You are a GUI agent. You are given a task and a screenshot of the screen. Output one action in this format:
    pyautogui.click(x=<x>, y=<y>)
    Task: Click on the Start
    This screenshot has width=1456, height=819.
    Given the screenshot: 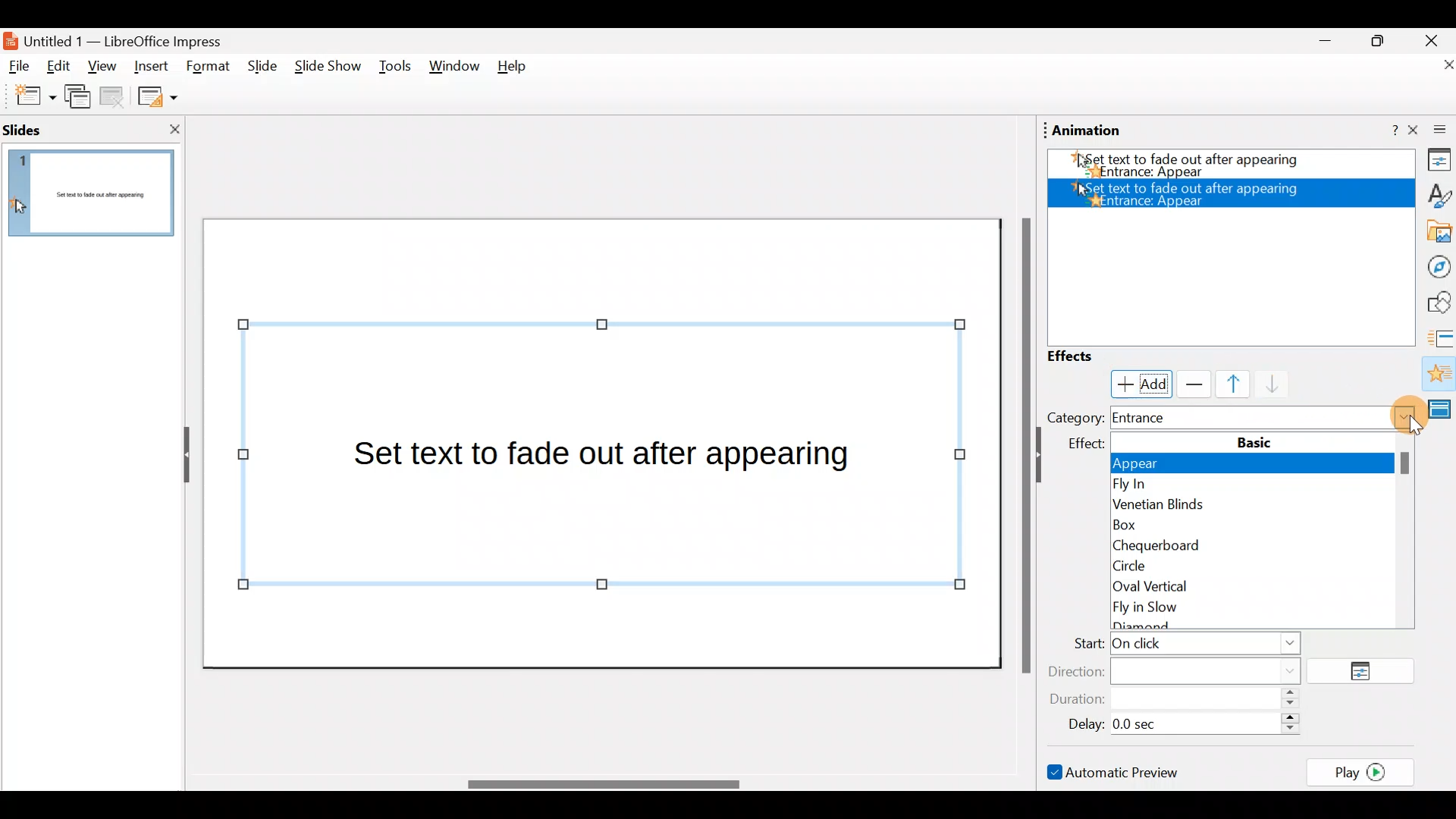 What is the action you would take?
    pyautogui.click(x=1182, y=645)
    